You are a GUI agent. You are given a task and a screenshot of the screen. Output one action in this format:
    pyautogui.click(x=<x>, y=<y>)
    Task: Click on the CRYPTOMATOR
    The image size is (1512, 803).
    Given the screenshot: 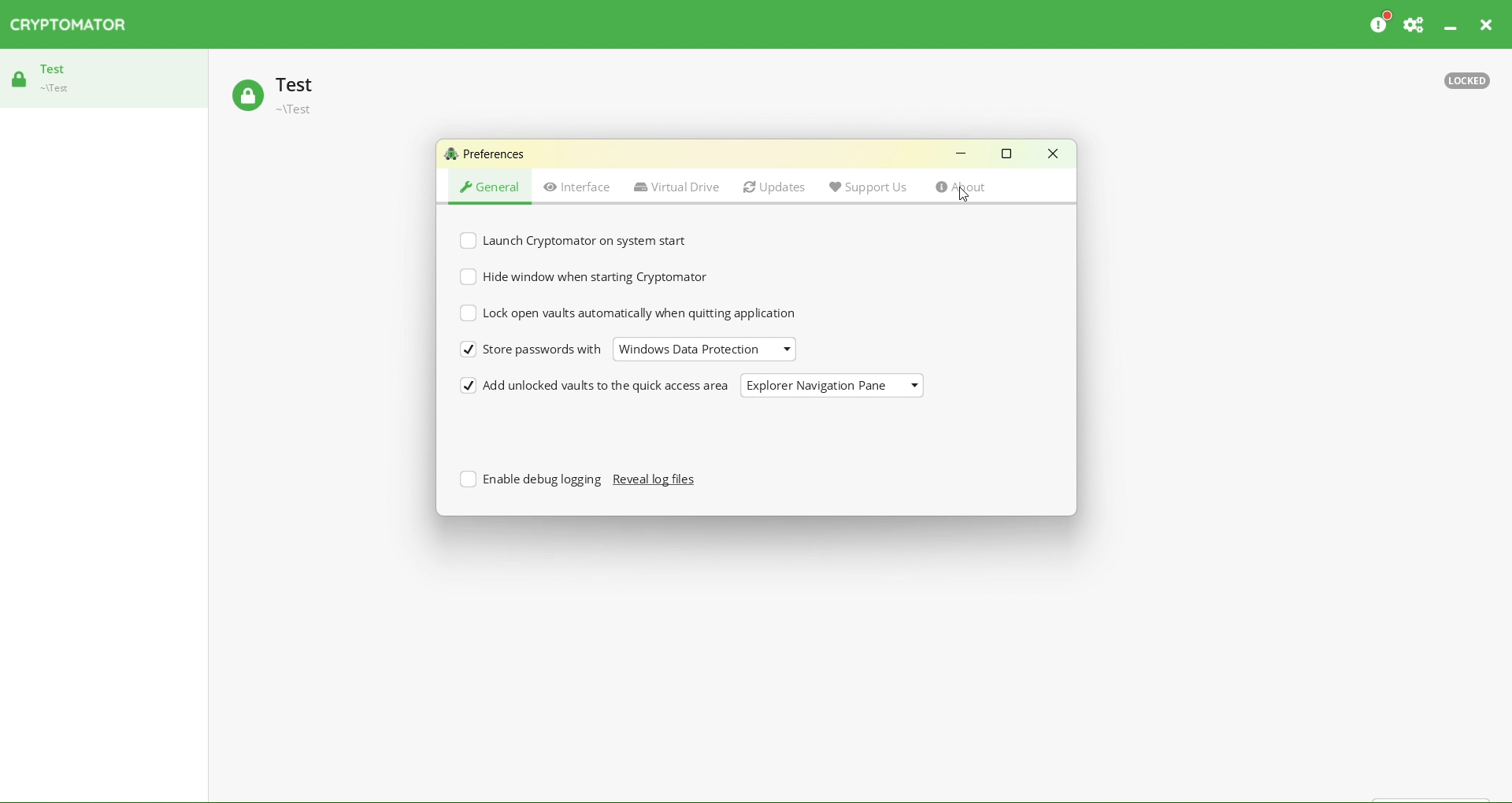 What is the action you would take?
    pyautogui.click(x=73, y=24)
    